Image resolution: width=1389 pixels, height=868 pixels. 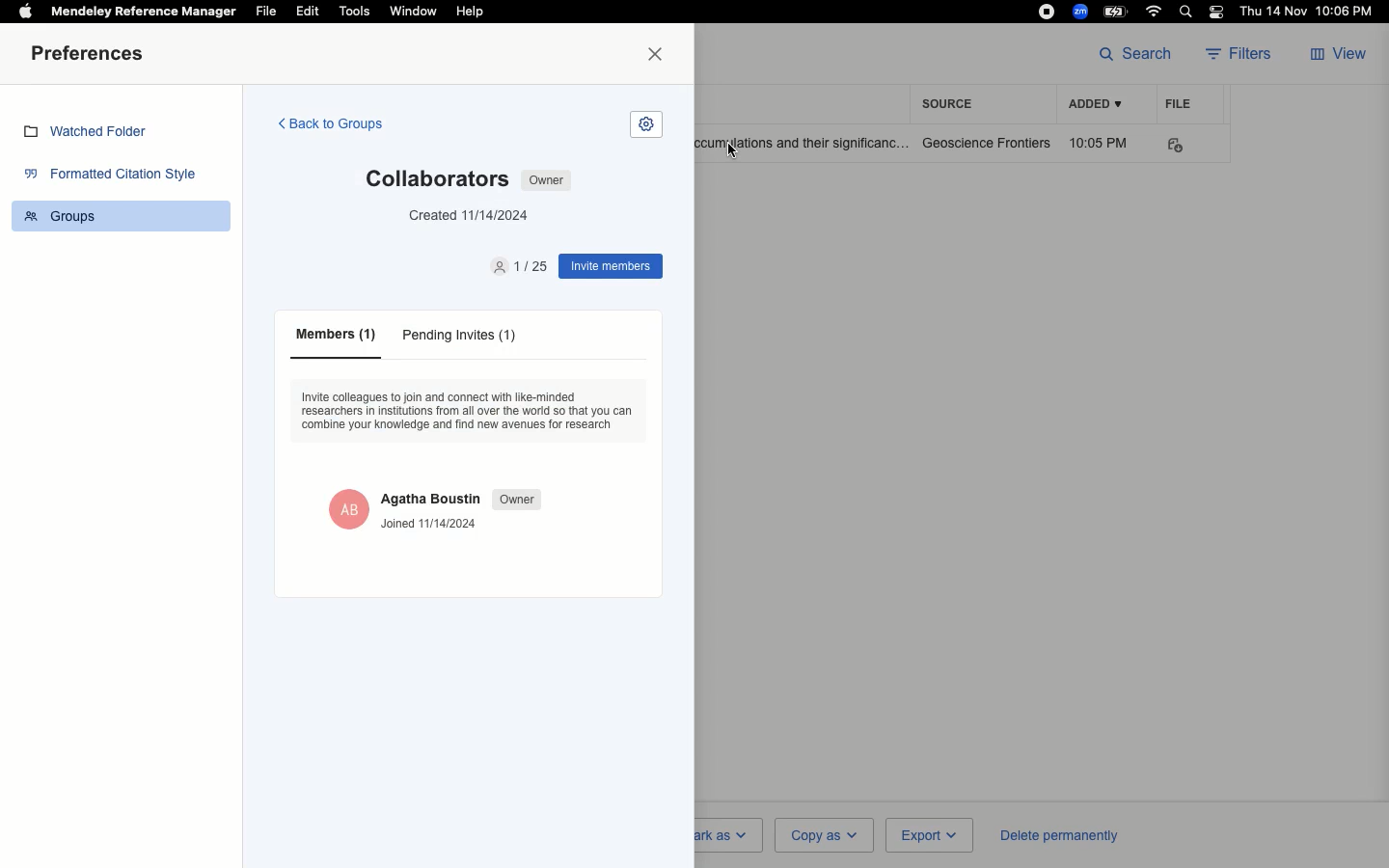 I want to click on Charge, so click(x=1118, y=11).